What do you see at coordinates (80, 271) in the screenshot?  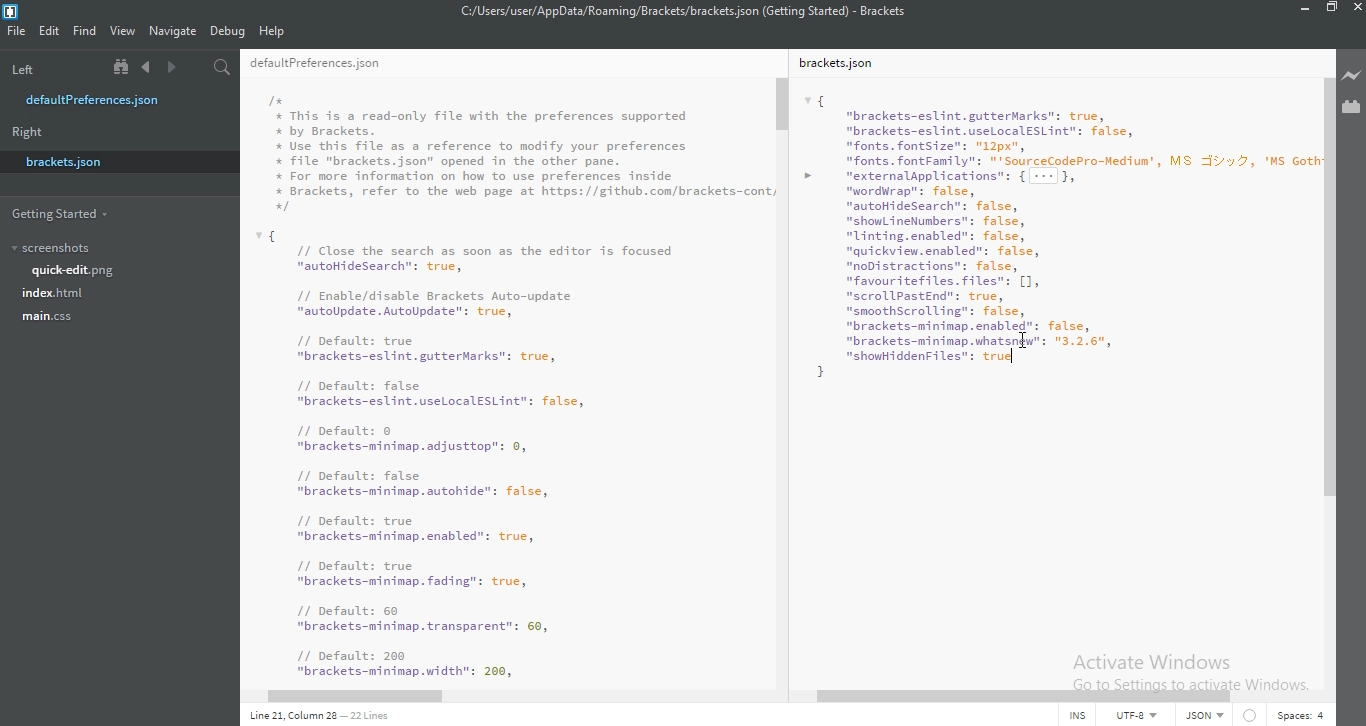 I see `quick-edit.png` at bounding box center [80, 271].